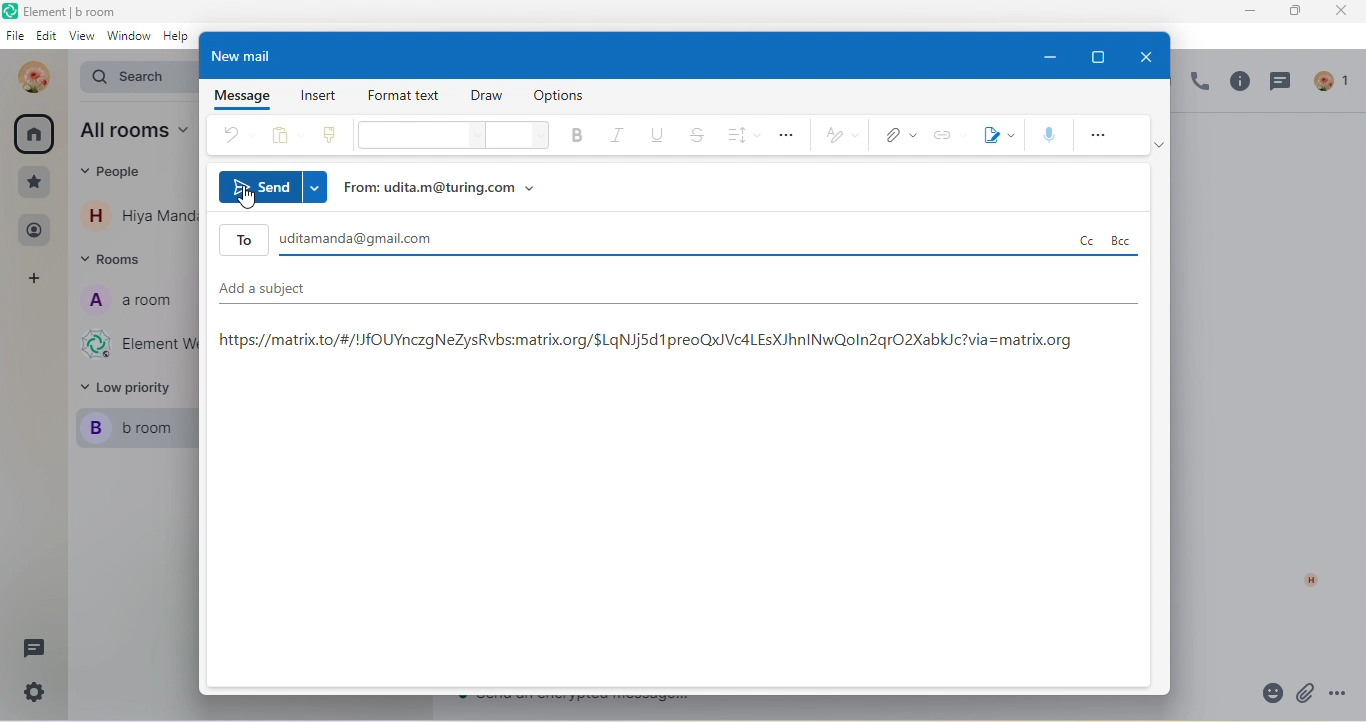 The height and width of the screenshot is (722, 1366). Describe the element at coordinates (82, 11) in the screenshot. I see `Element | b room` at that location.